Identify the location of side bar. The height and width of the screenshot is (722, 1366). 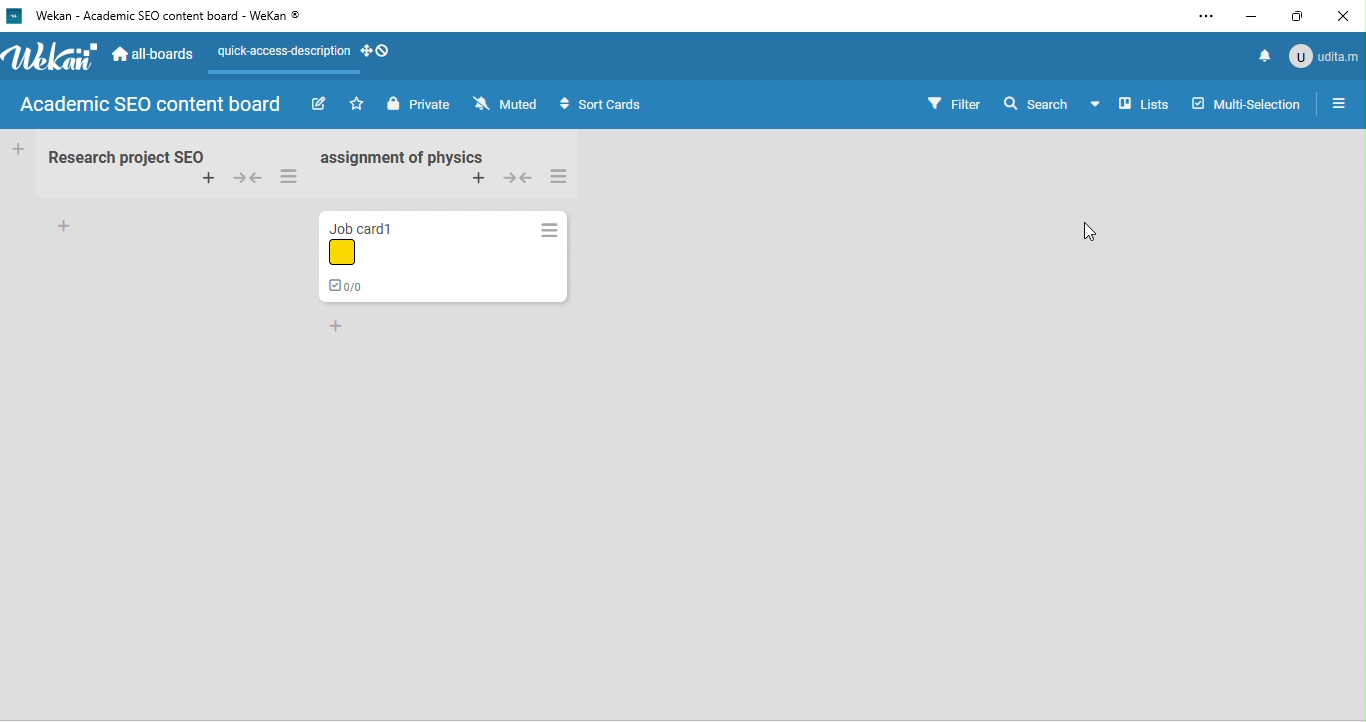
(1340, 104).